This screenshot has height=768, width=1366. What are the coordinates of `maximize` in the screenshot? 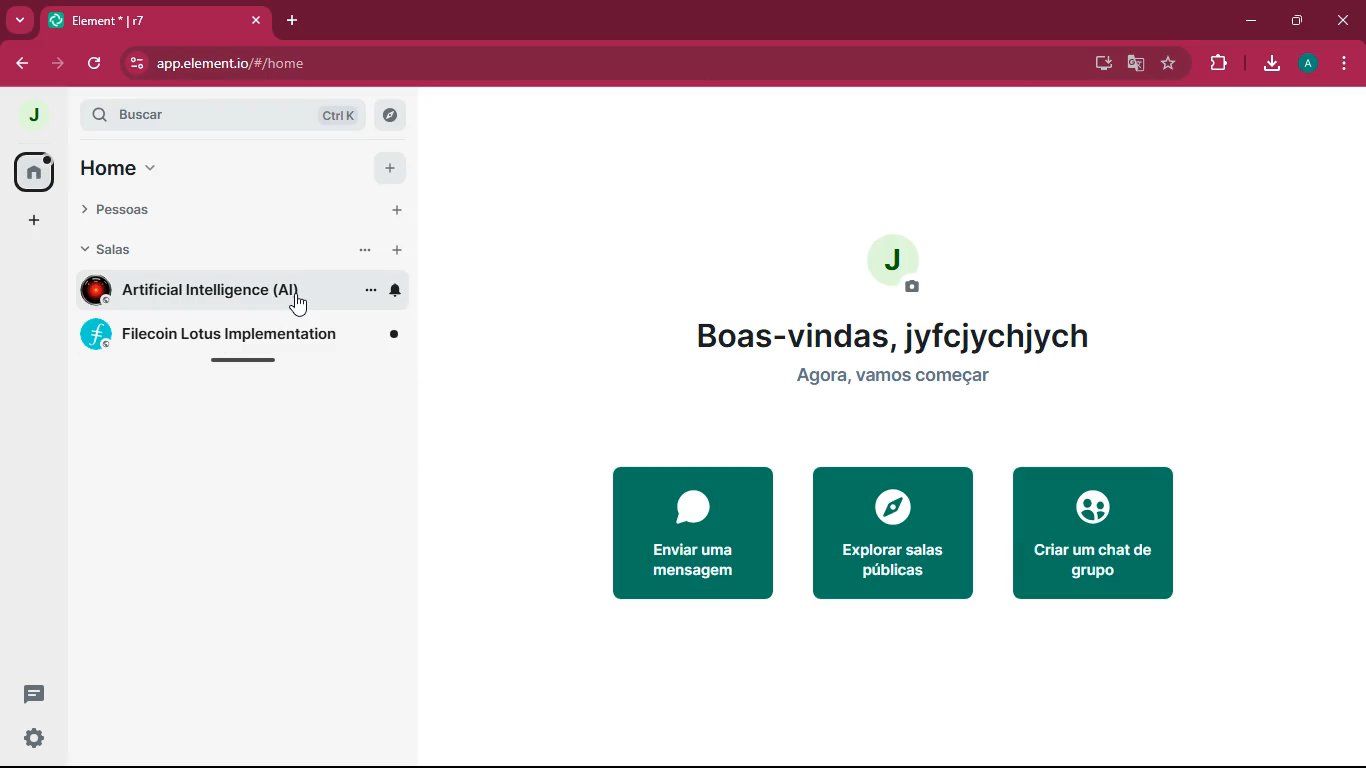 It's located at (1293, 21).